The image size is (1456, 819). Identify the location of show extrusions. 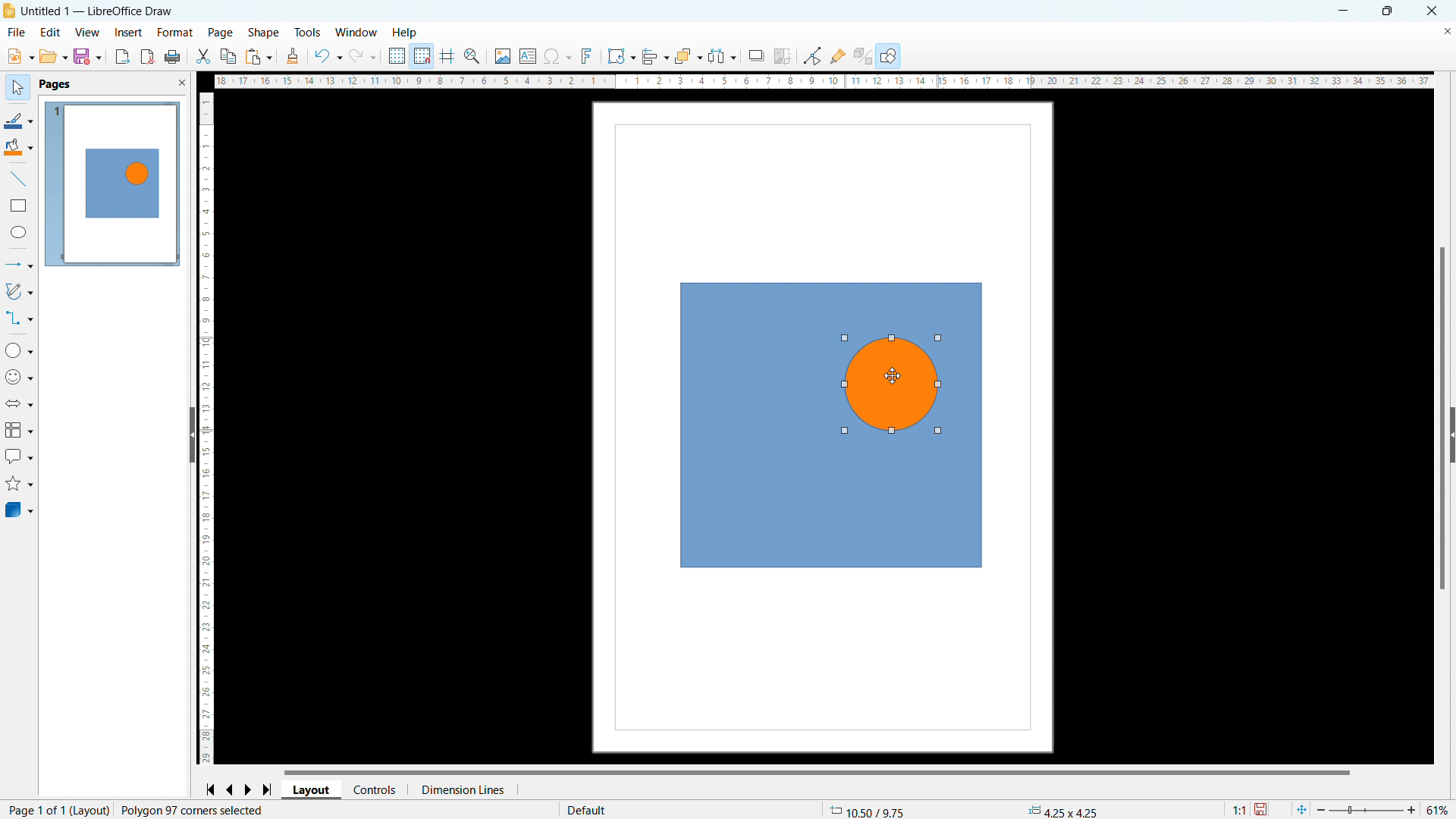
(864, 56).